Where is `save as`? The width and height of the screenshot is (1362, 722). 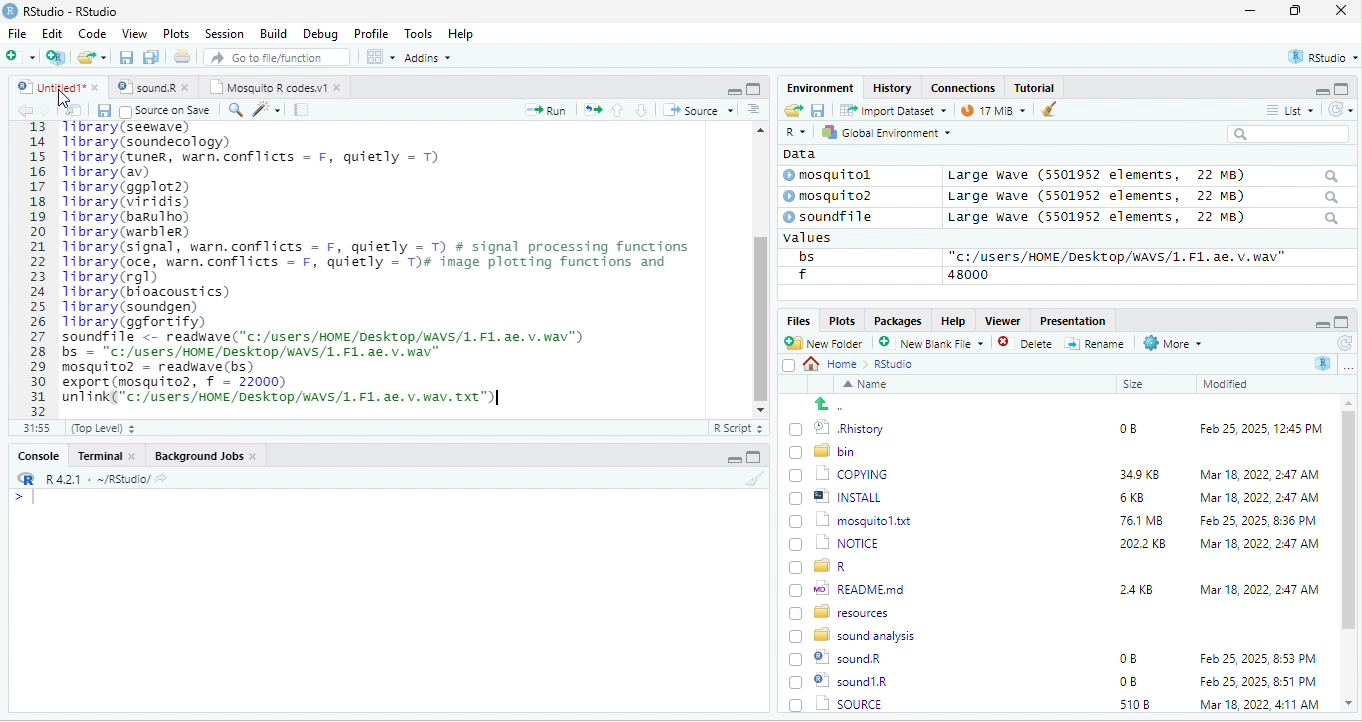
save as is located at coordinates (153, 58).